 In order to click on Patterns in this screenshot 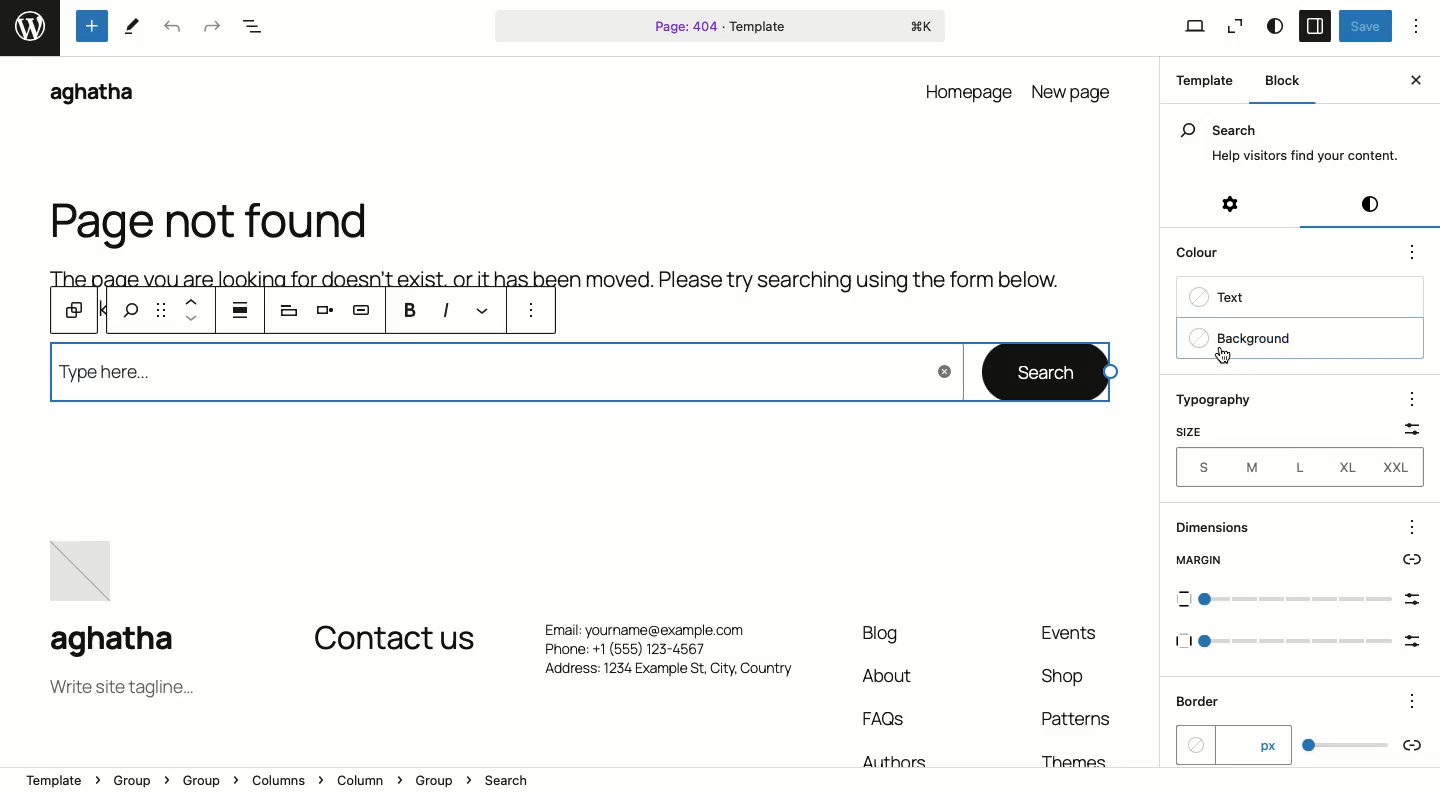, I will do `click(1081, 725)`.